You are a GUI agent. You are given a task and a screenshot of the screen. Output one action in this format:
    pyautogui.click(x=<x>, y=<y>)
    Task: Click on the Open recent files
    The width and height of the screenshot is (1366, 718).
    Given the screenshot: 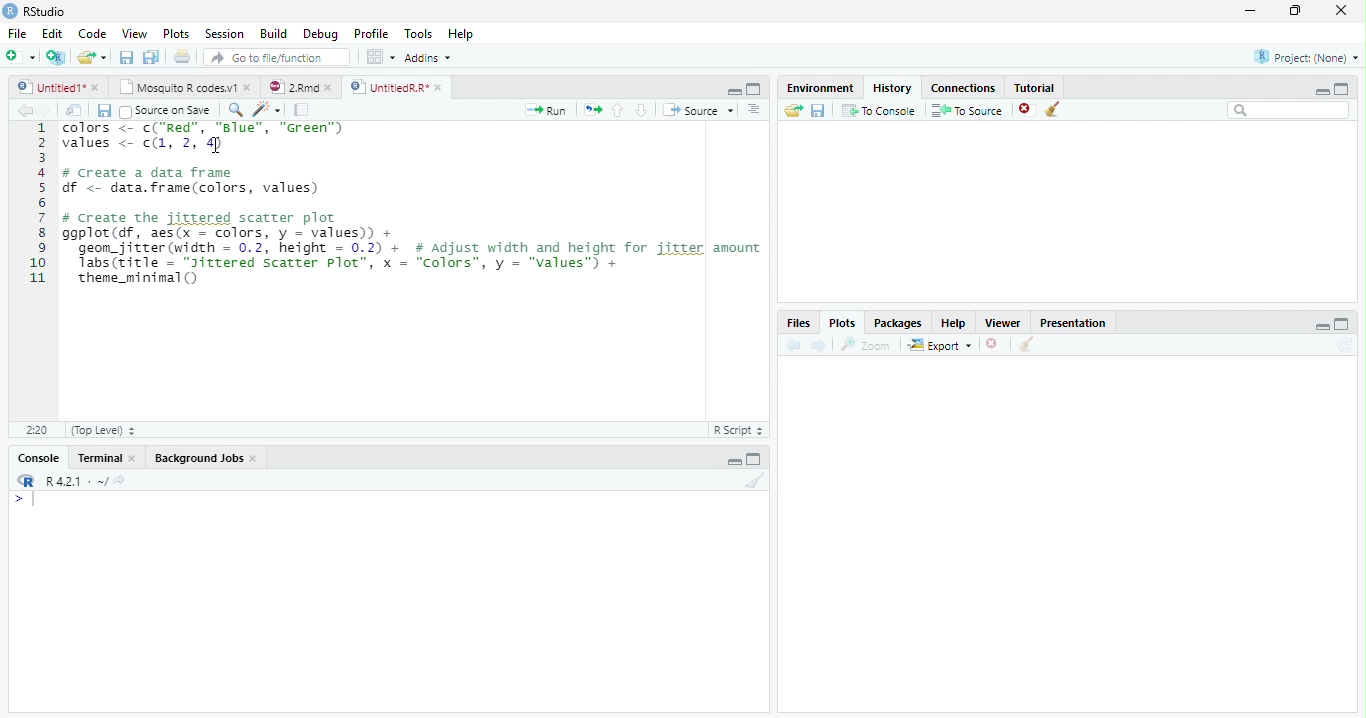 What is the action you would take?
    pyautogui.click(x=104, y=57)
    